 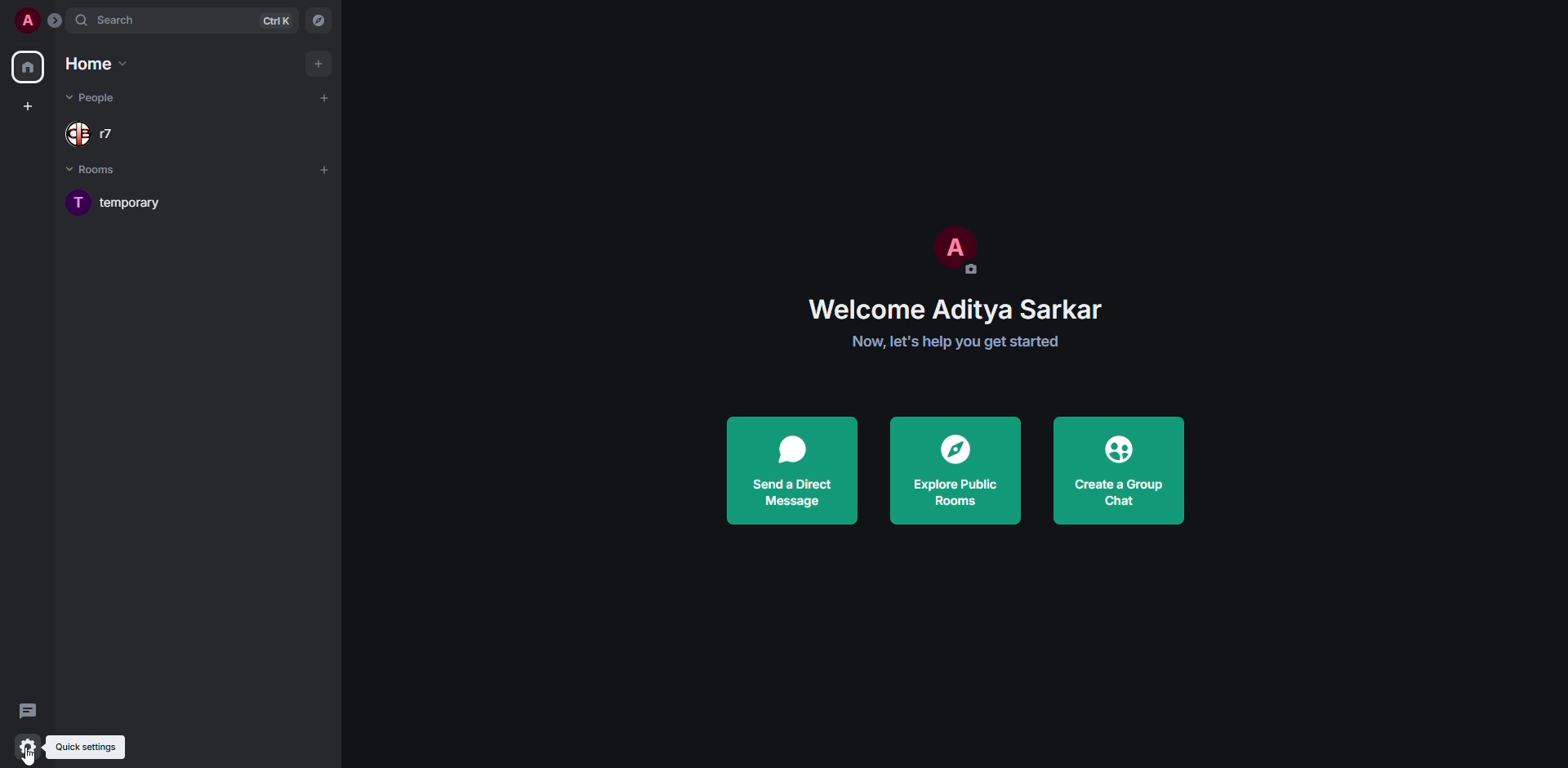 I want to click on welcome, so click(x=958, y=309).